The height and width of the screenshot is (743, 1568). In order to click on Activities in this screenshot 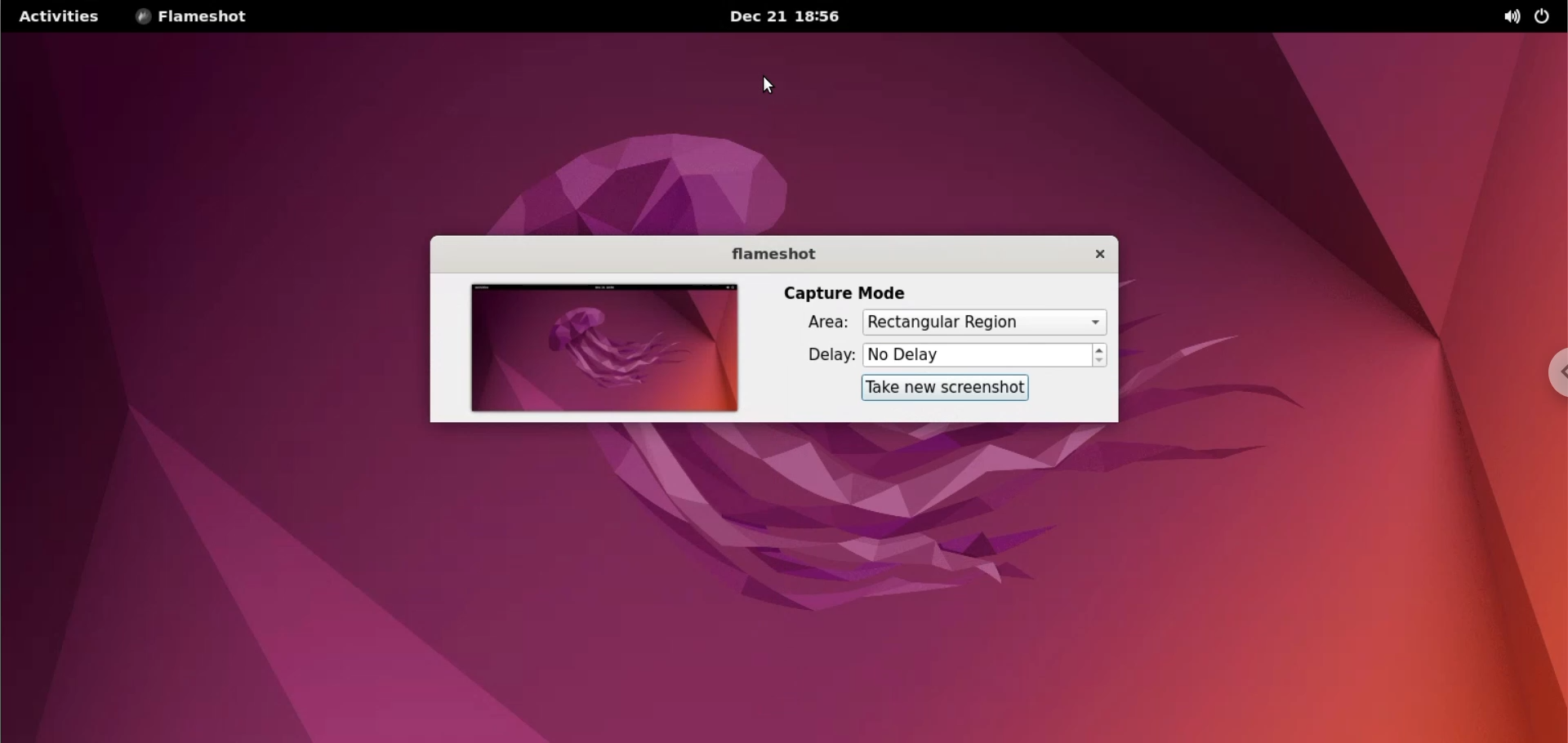, I will do `click(58, 17)`.